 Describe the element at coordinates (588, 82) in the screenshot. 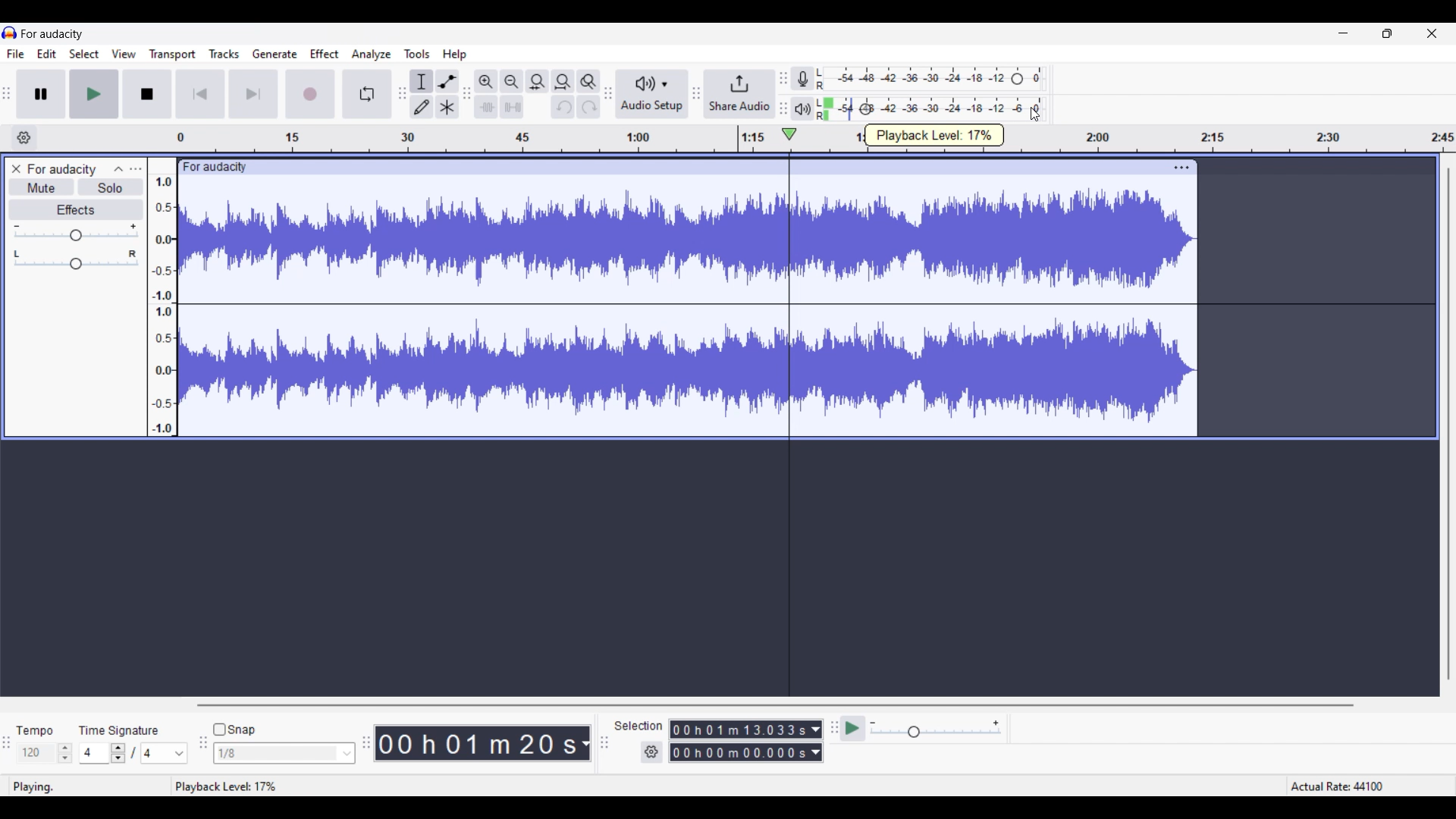

I see `Zoom toggle` at that location.